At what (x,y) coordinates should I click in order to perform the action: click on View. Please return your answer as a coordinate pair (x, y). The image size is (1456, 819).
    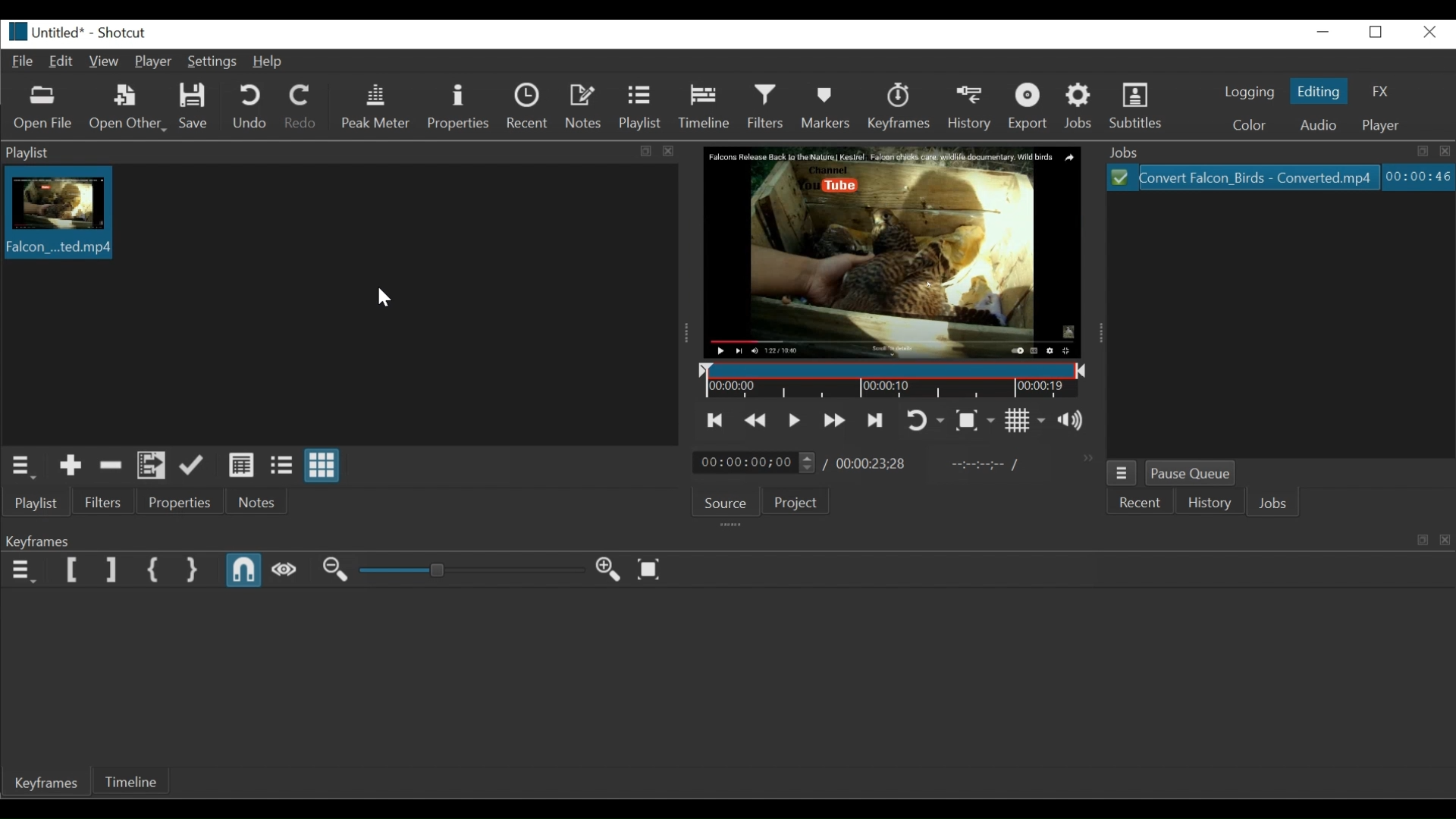
    Looking at the image, I should click on (104, 61).